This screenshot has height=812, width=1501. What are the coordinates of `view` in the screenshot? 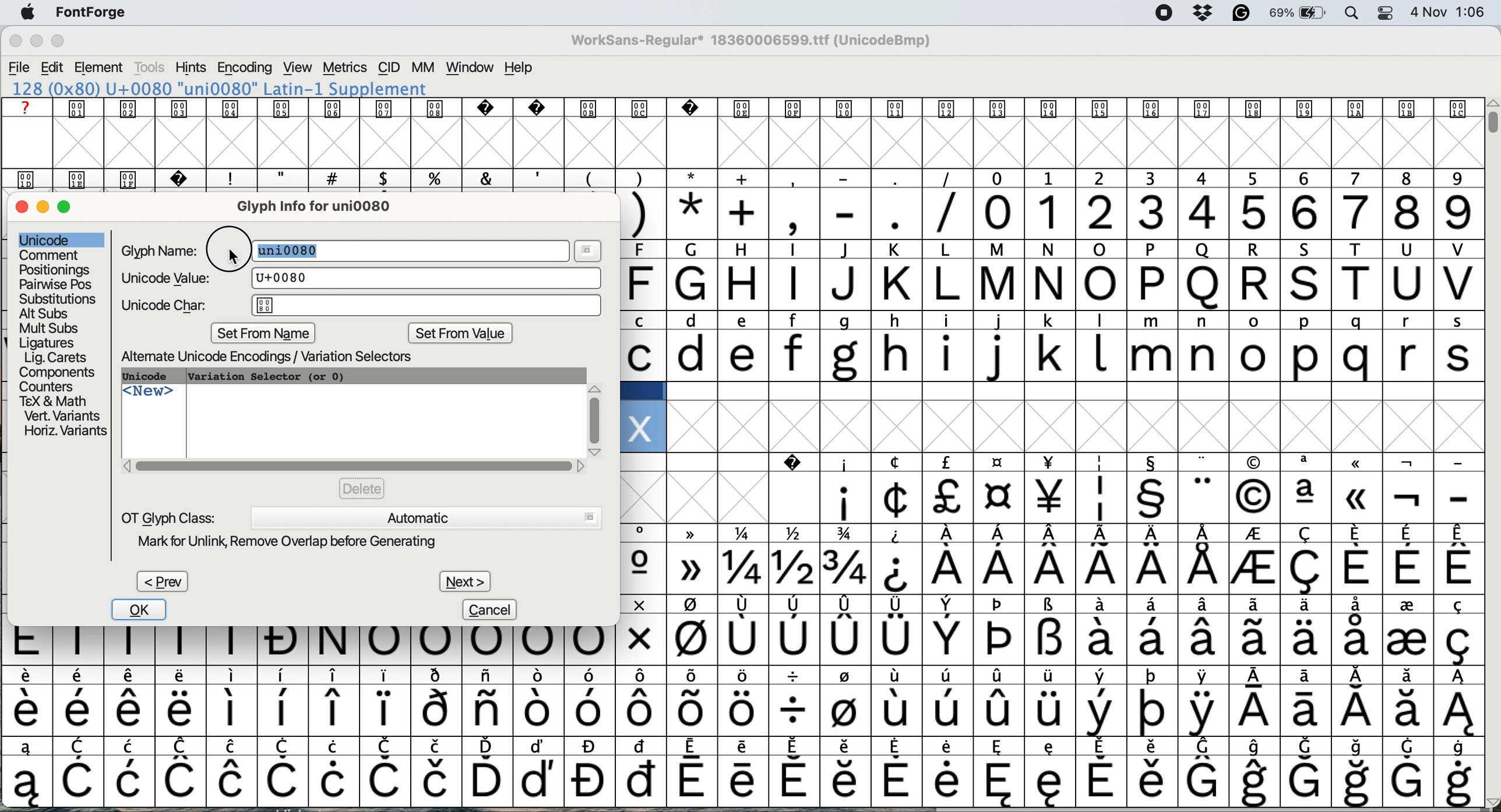 It's located at (295, 68).